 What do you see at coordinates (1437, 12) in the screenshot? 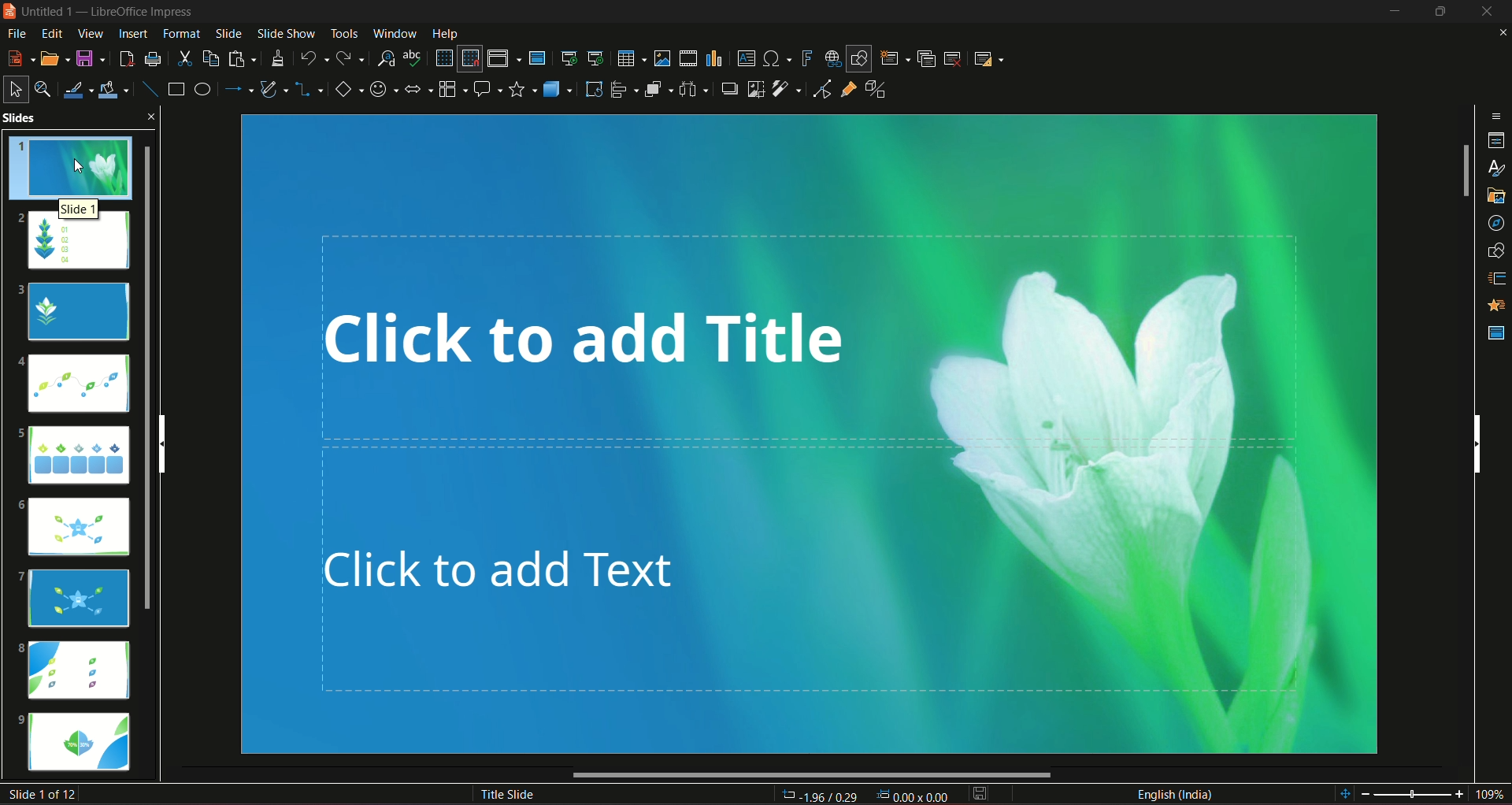
I see `hide` at bounding box center [1437, 12].